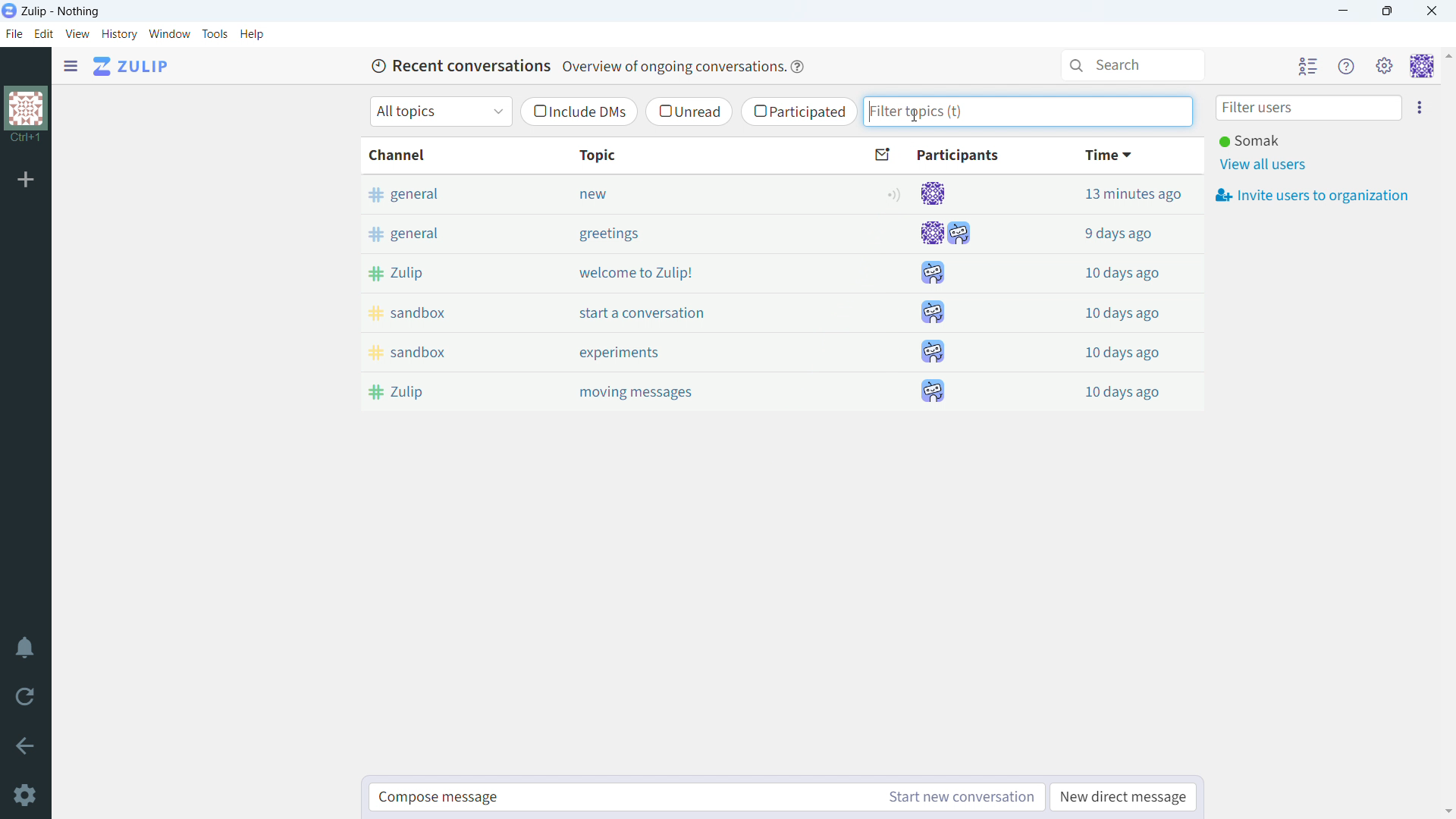  I want to click on include dms, so click(578, 112).